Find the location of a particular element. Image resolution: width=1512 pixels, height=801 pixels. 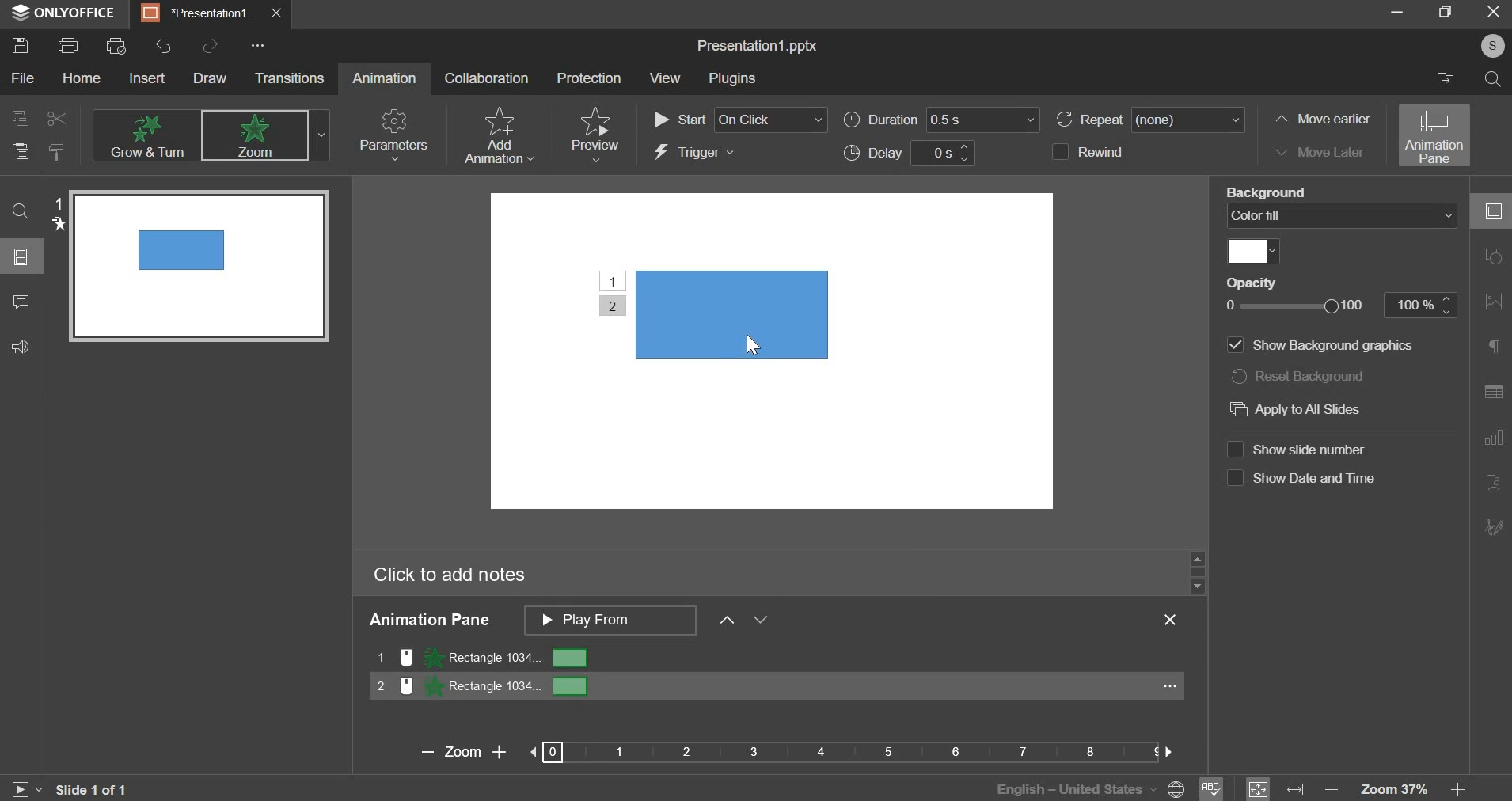

Zoom is located at coordinates (462, 753).